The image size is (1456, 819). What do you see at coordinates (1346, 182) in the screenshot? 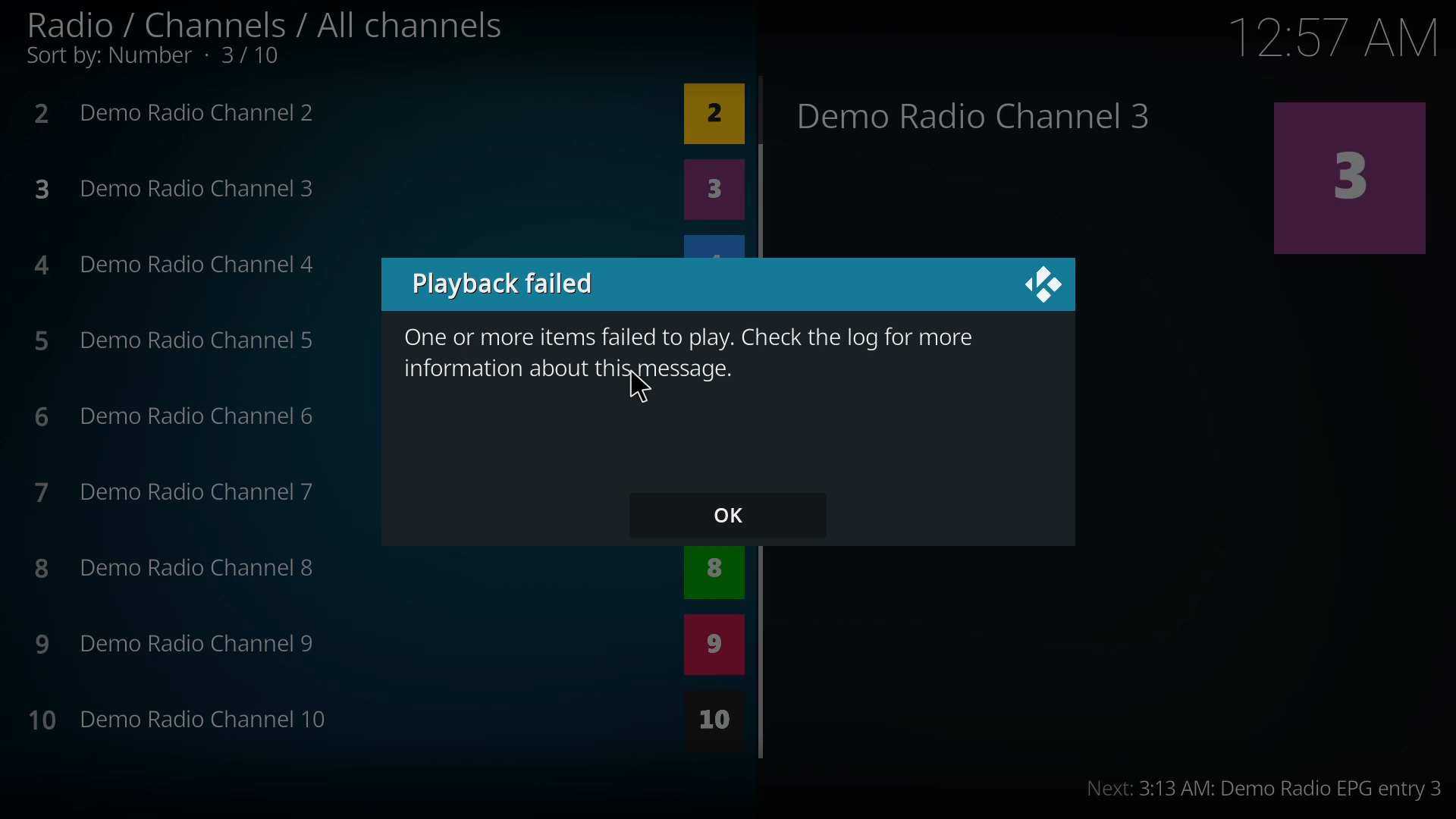
I see `3` at bounding box center [1346, 182].